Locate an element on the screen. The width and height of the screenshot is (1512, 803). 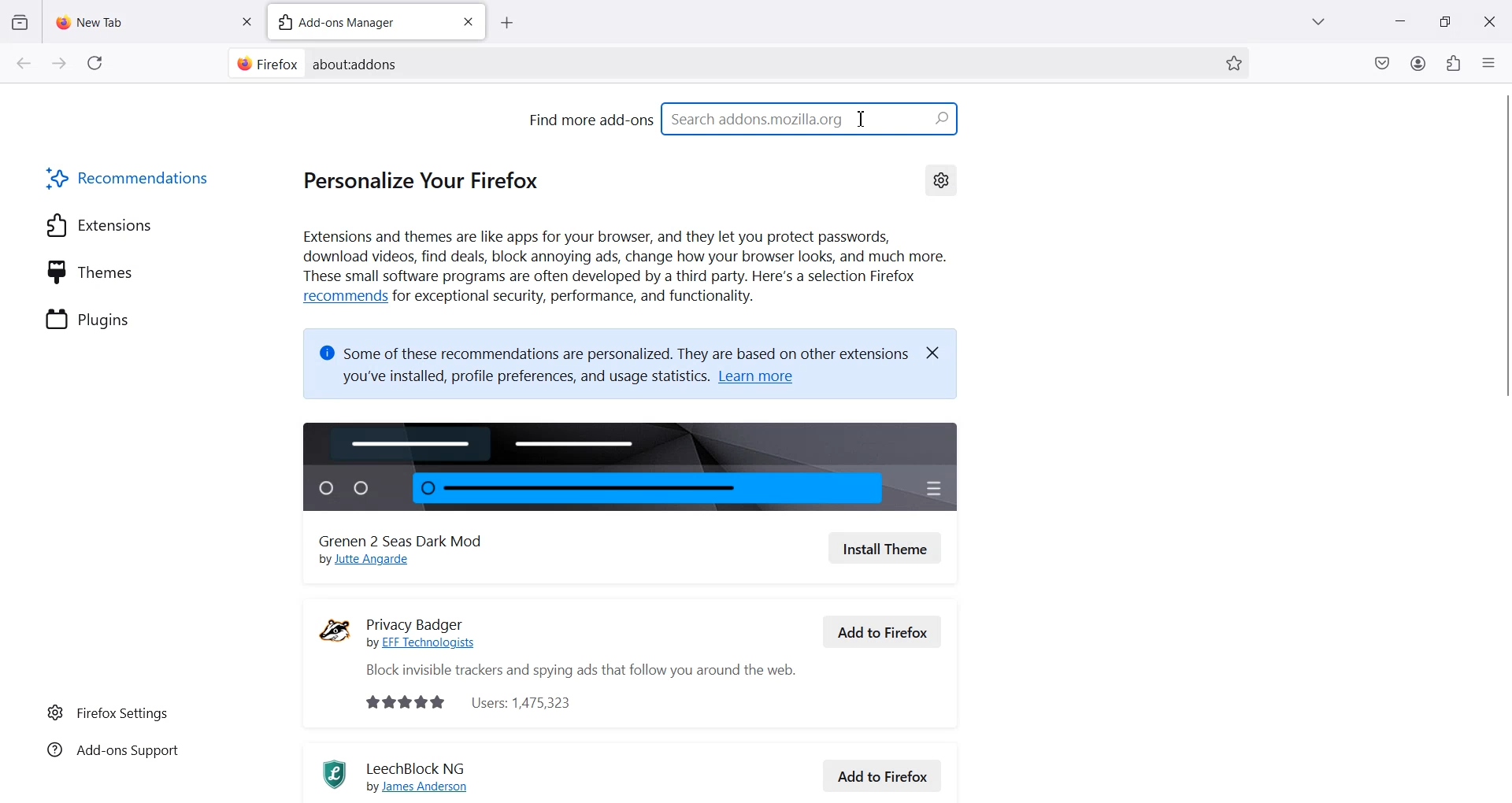
Themes is located at coordinates (91, 271).